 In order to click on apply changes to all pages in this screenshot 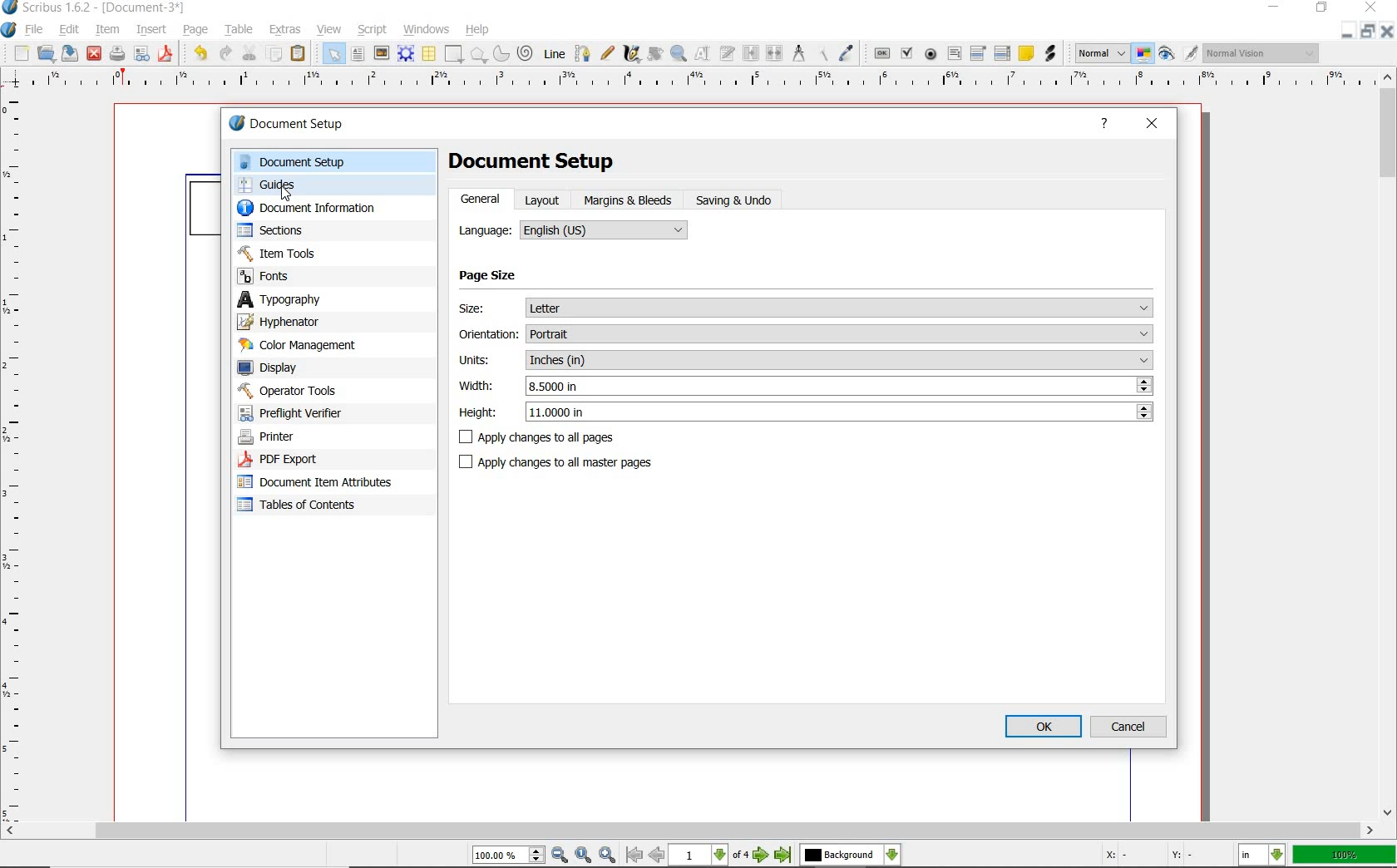, I will do `click(542, 437)`.